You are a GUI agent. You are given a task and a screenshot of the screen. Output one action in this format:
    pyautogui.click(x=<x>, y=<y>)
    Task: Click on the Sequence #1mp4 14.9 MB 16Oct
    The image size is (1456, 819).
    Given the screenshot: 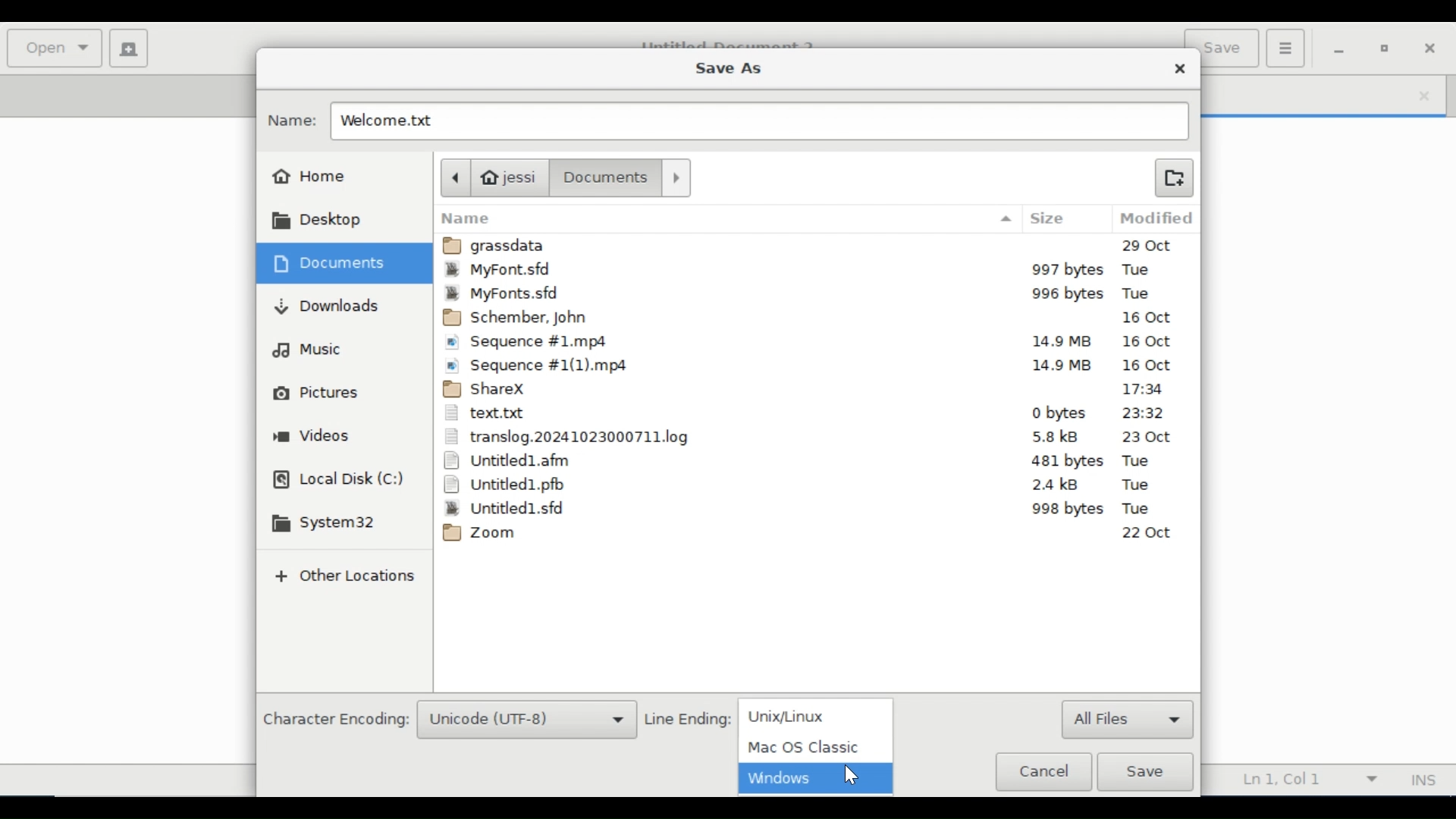 What is the action you would take?
    pyautogui.click(x=813, y=344)
    